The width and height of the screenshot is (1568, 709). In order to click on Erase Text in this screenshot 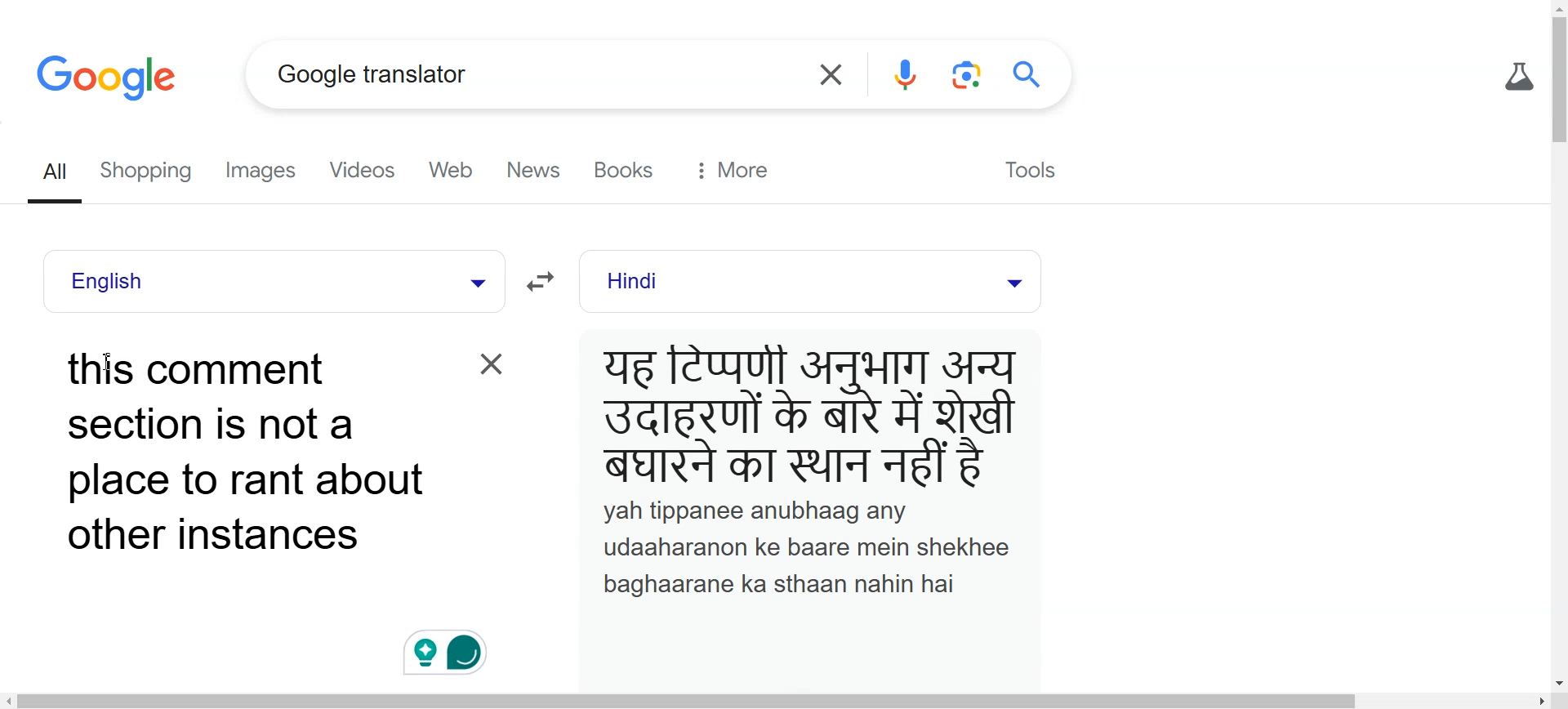, I will do `click(488, 363)`.